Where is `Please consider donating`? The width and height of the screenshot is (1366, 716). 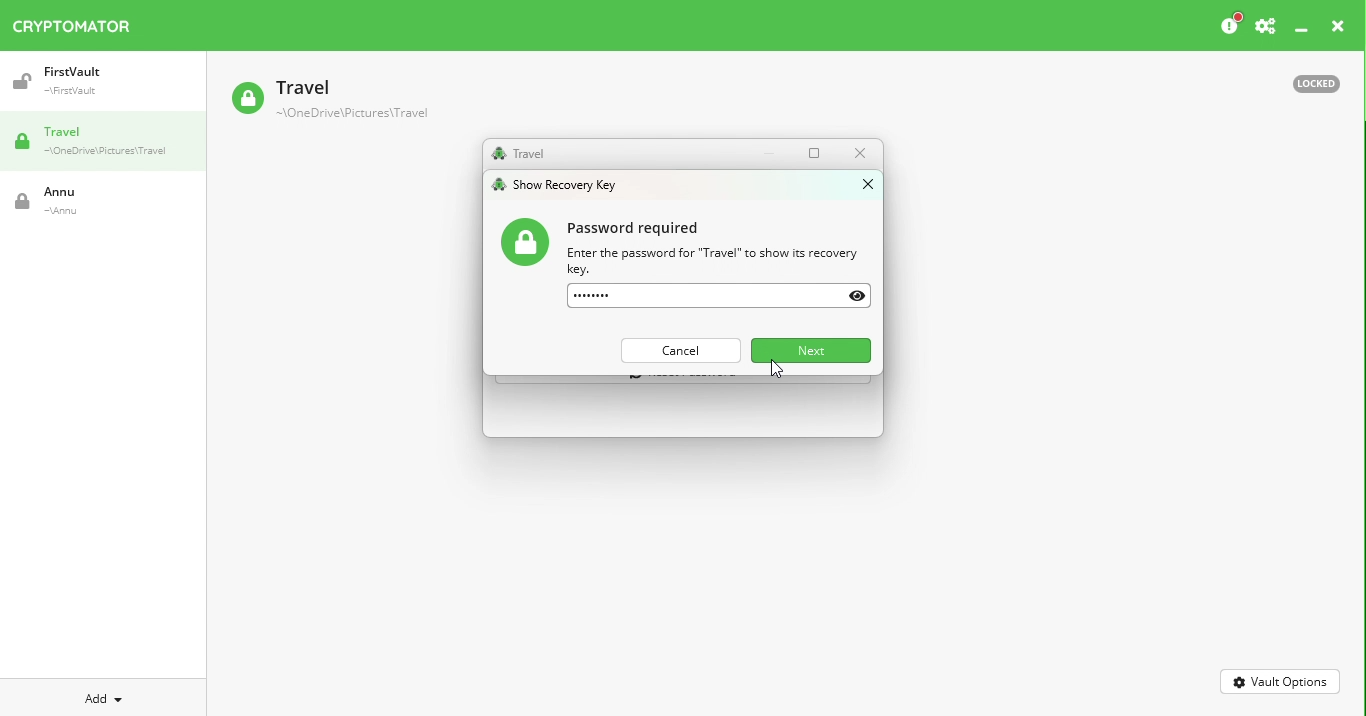 Please consider donating is located at coordinates (1229, 25).